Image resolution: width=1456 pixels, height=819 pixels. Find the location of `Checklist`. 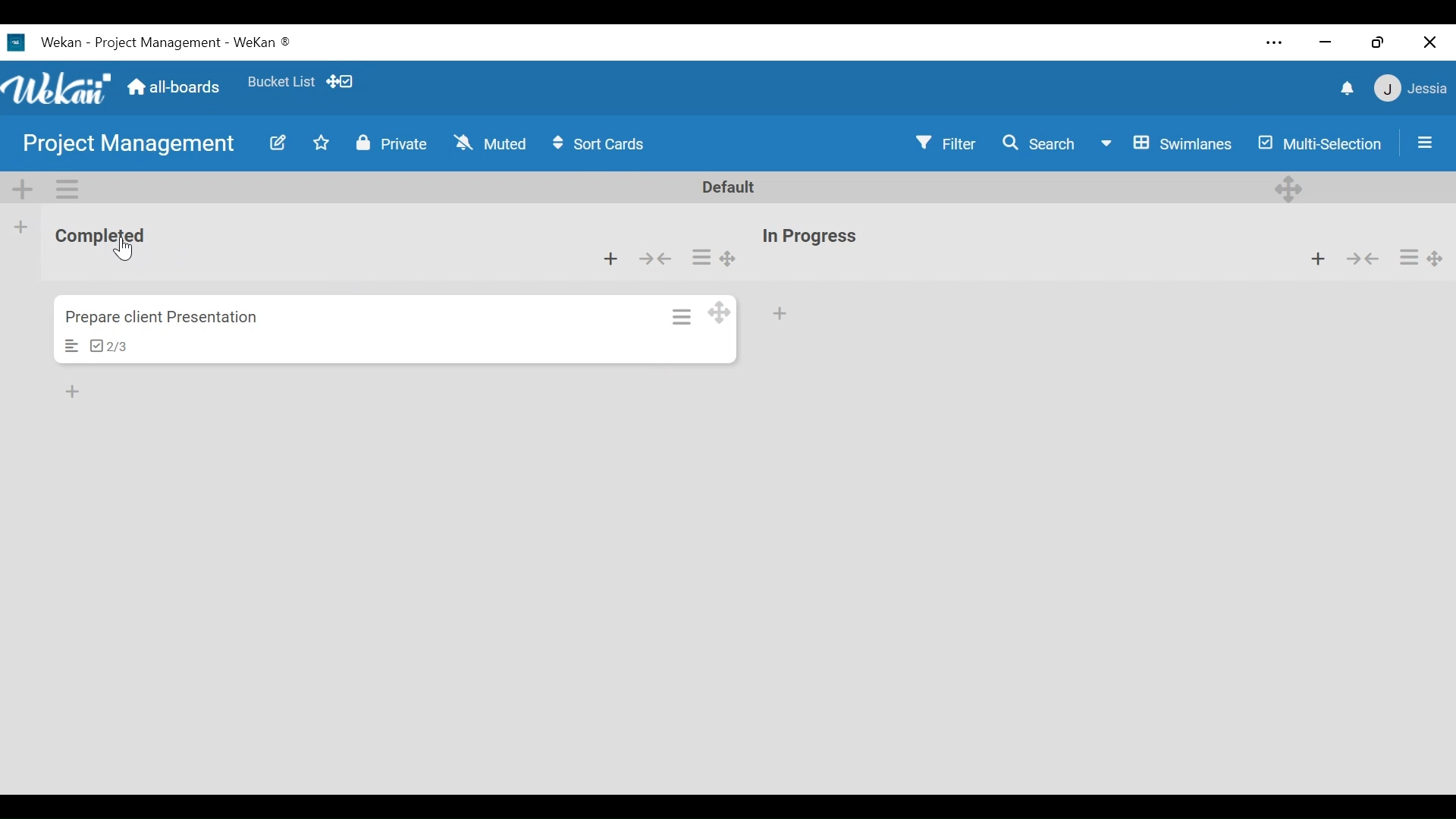

Checklist is located at coordinates (113, 346).